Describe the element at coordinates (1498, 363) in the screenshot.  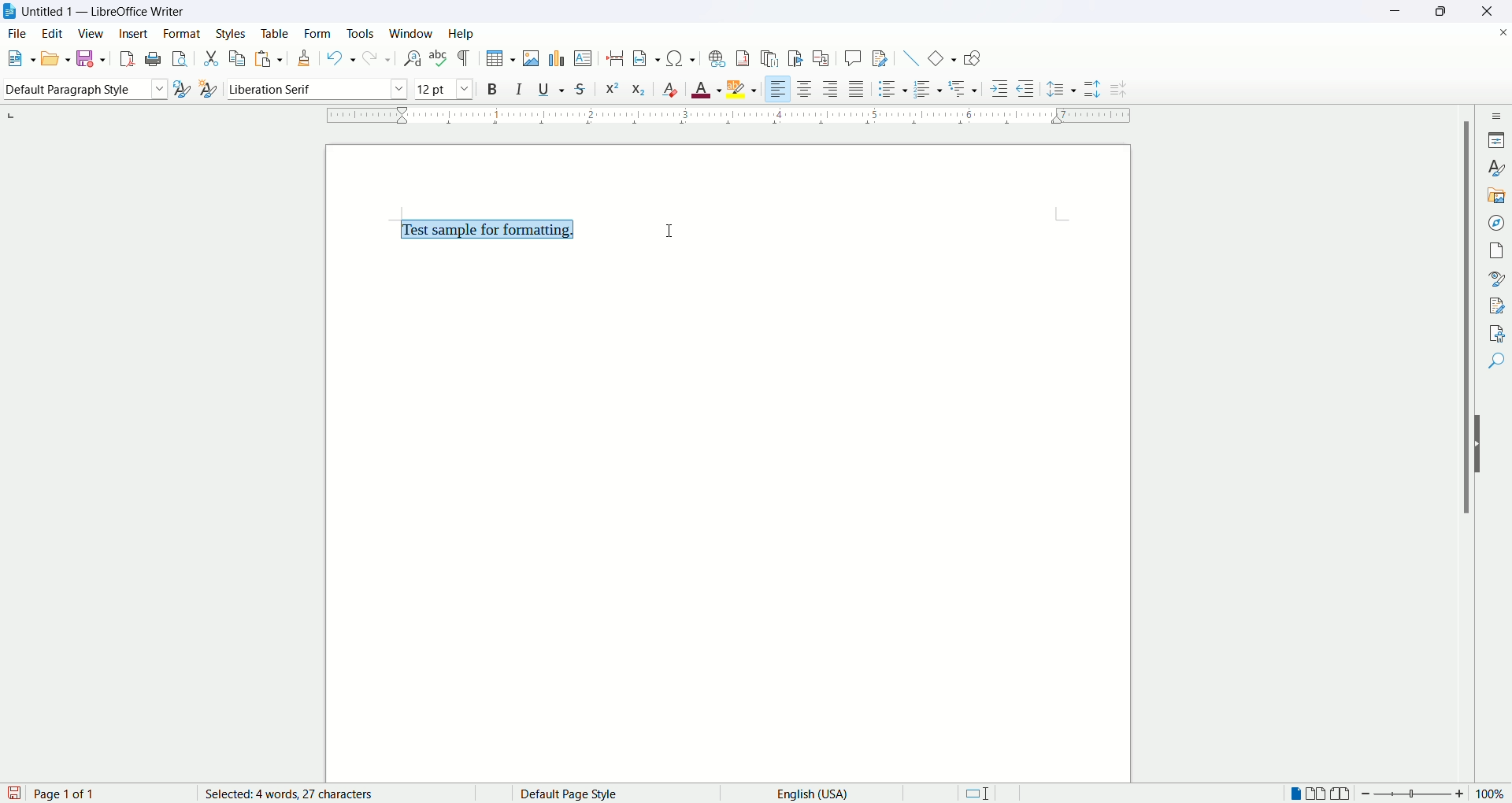
I see `find` at that location.